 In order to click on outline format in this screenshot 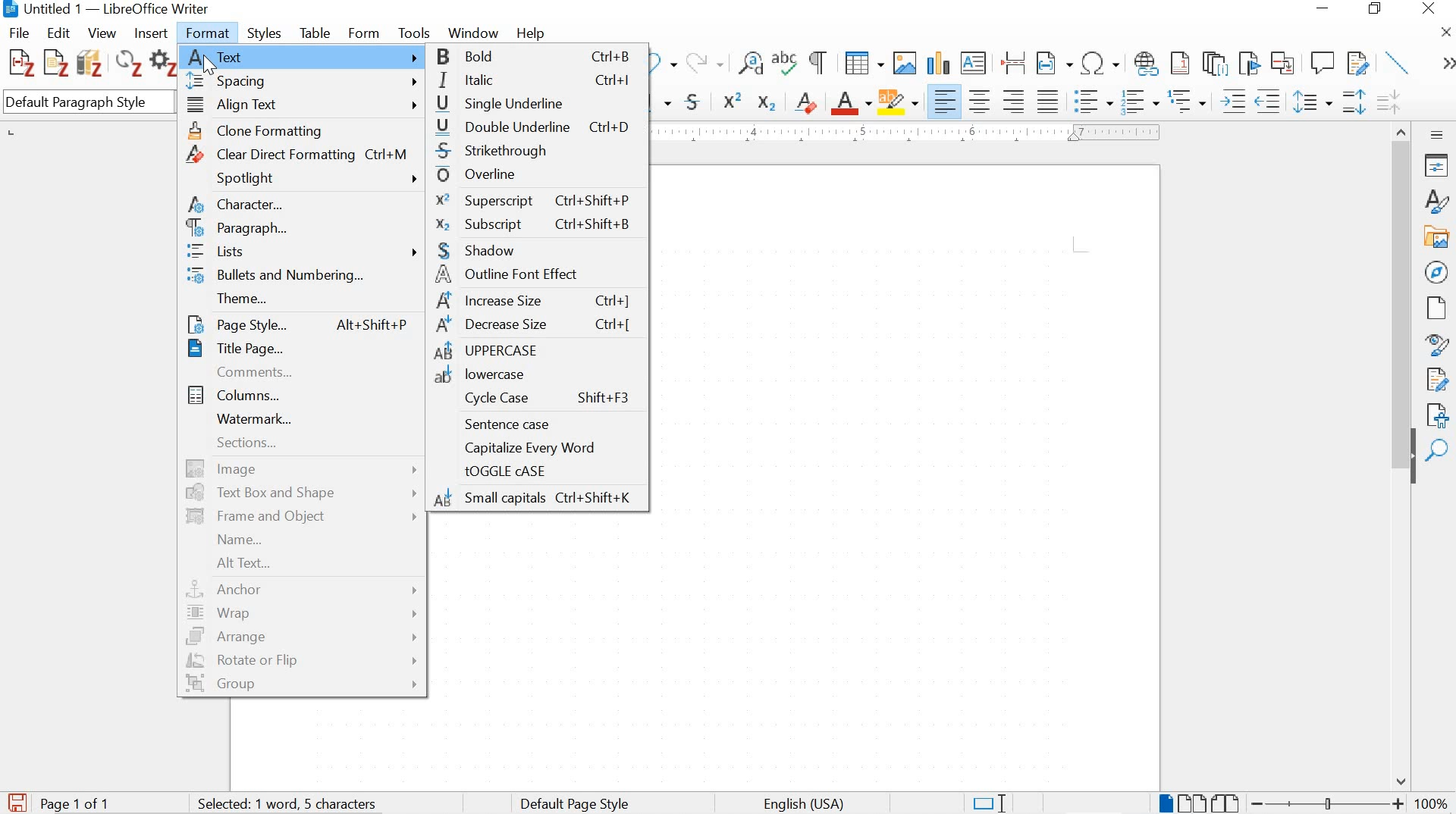, I will do `click(1188, 102)`.